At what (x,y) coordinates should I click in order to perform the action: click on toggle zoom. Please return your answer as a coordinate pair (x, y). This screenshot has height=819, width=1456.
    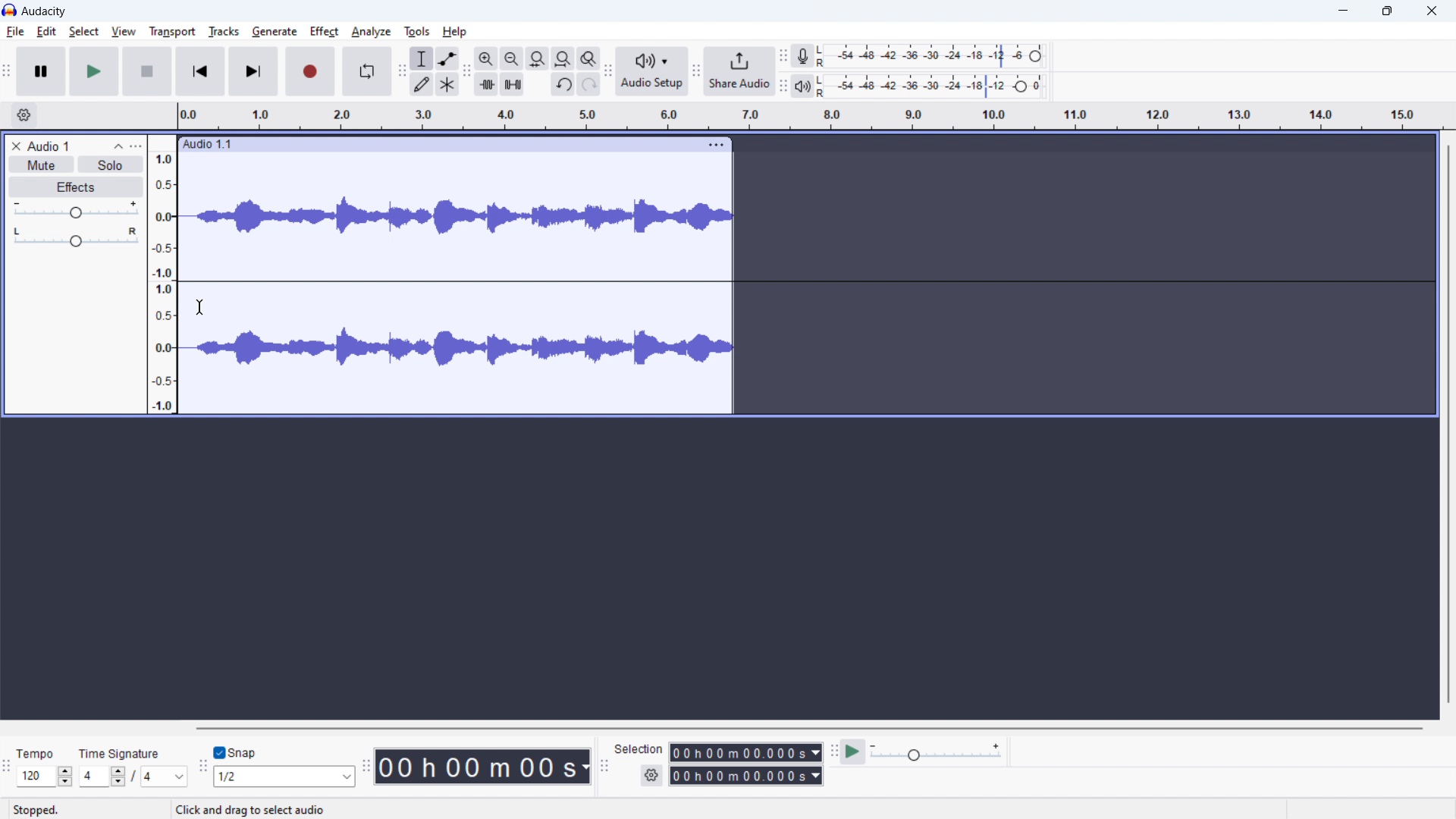
    Looking at the image, I should click on (588, 58).